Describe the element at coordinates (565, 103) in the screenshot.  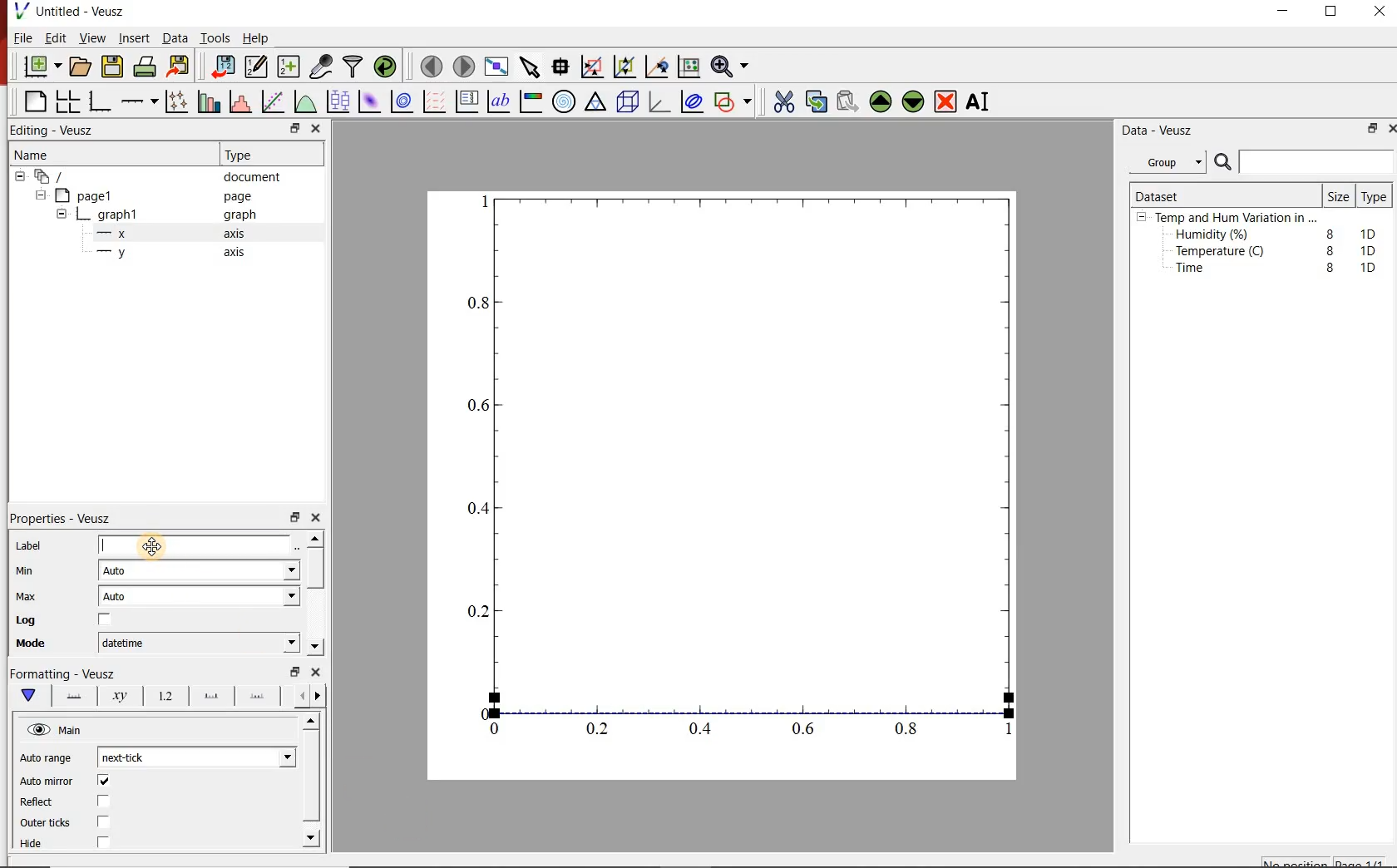
I see `polar graph` at that location.